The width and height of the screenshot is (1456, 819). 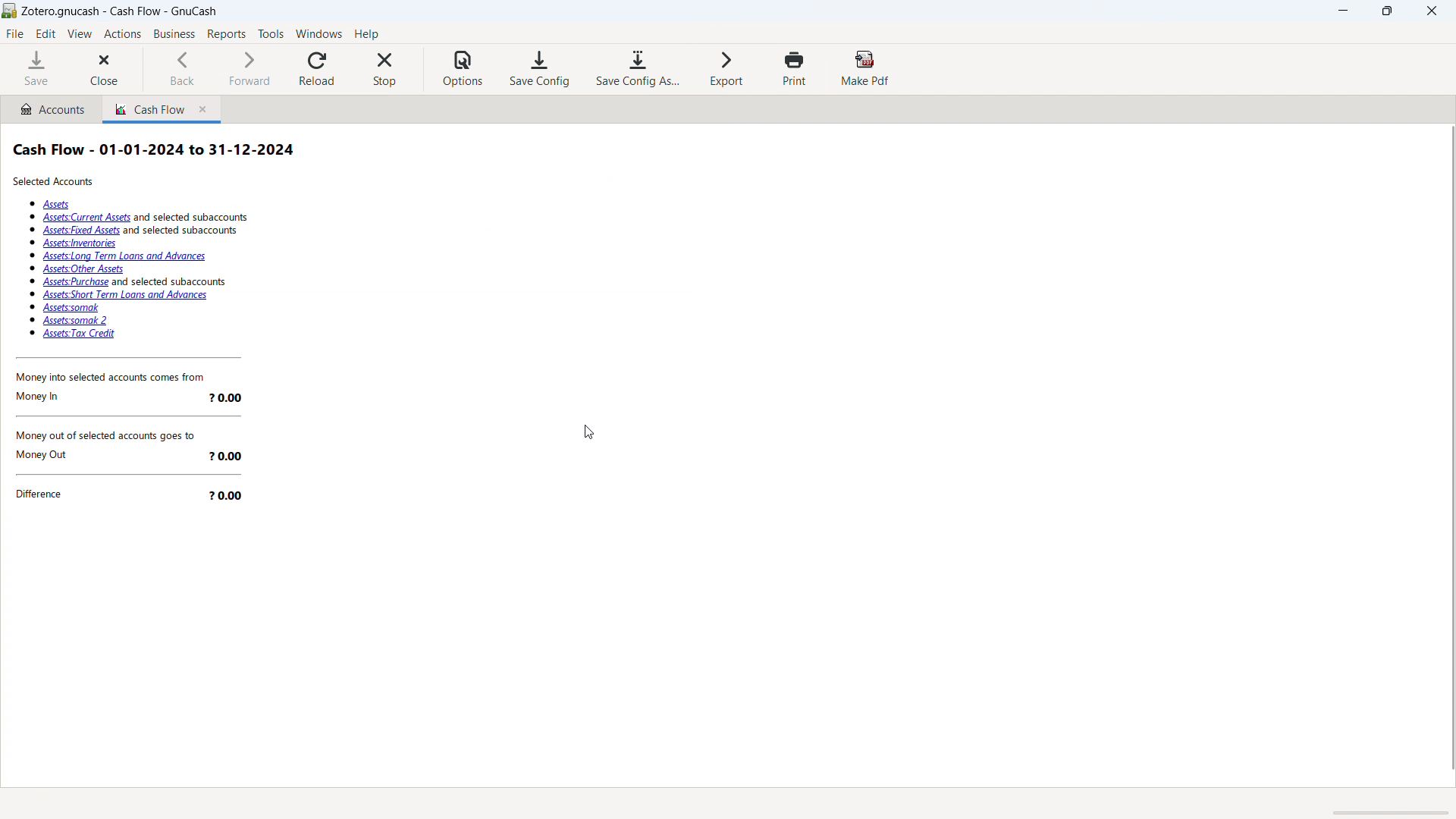 What do you see at coordinates (133, 454) in the screenshot?
I see `Money Out 20.00` at bounding box center [133, 454].